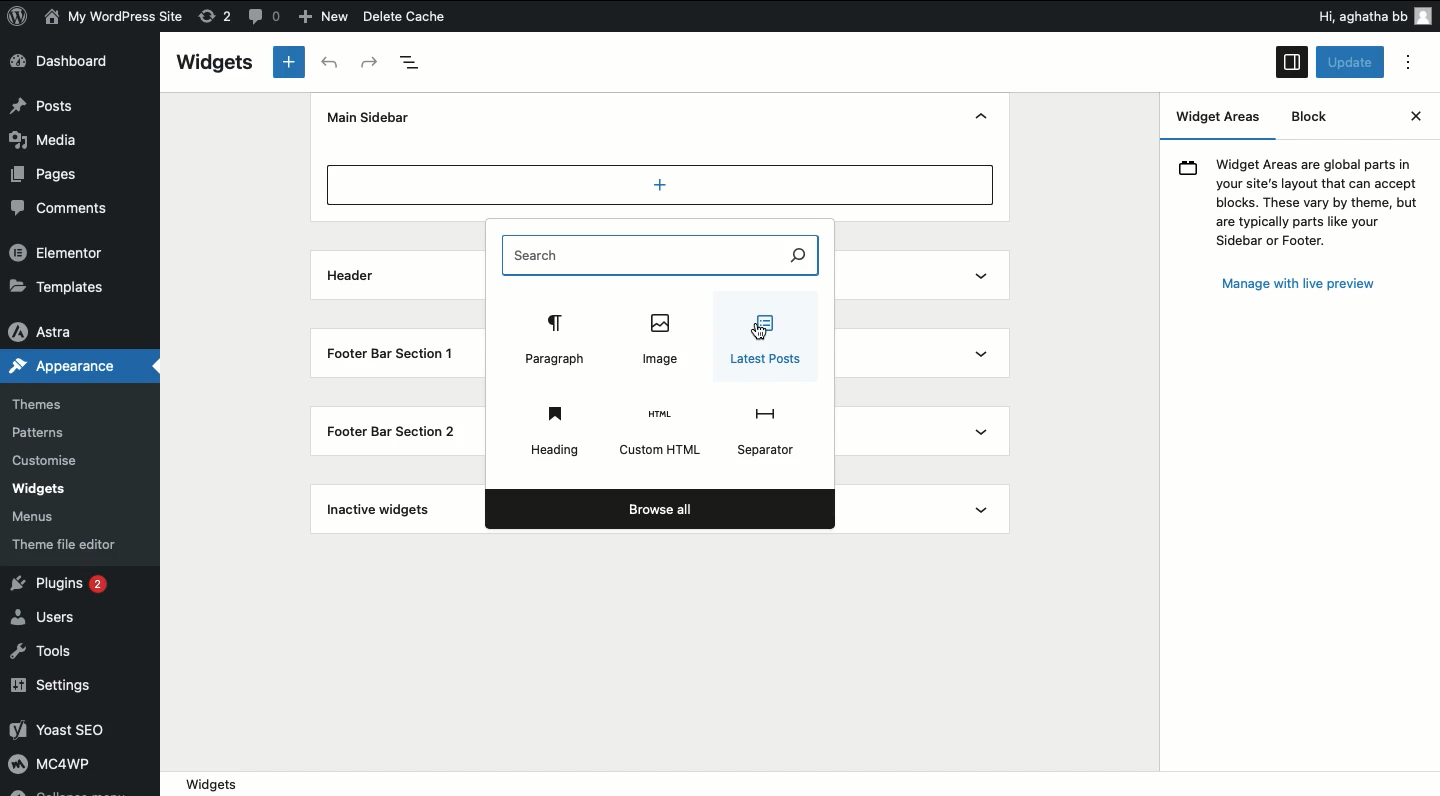 This screenshot has width=1440, height=796. Describe the element at coordinates (763, 339) in the screenshot. I see `Latest posts` at that location.